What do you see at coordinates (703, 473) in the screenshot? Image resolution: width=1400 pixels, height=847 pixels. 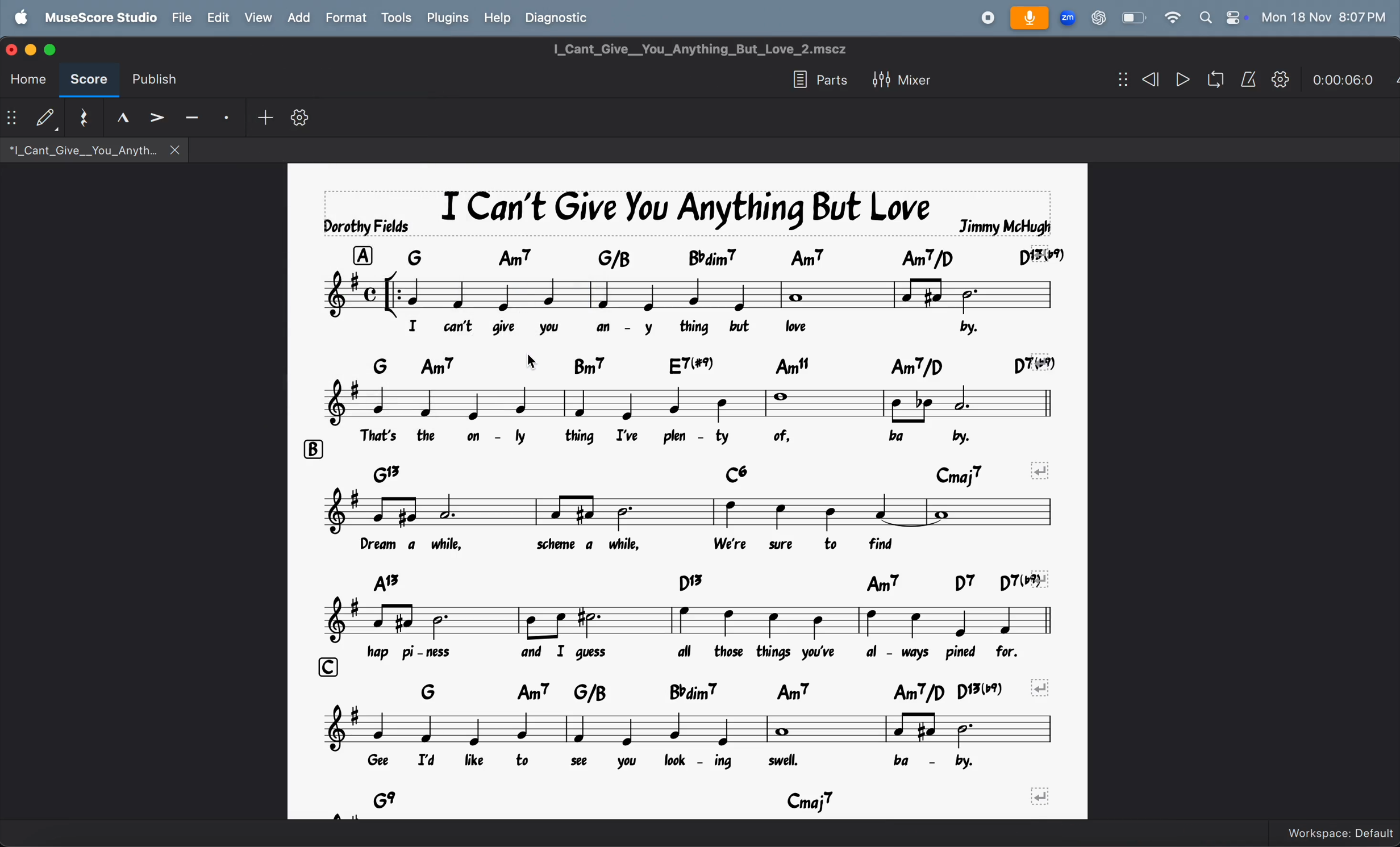 I see `chord symbols` at bounding box center [703, 473].